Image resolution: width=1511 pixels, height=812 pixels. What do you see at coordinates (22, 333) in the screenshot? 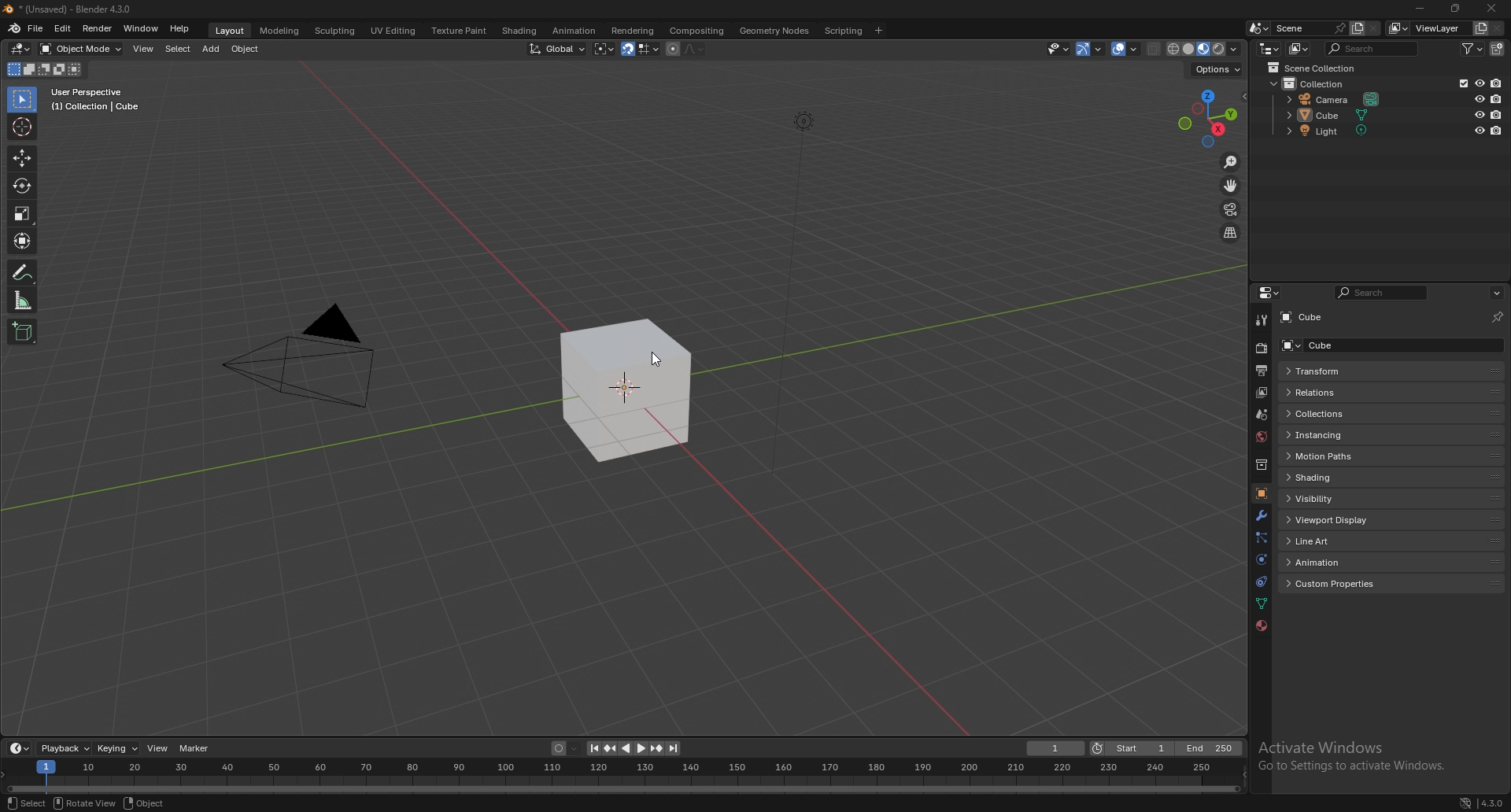
I see `add cube` at bounding box center [22, 333].